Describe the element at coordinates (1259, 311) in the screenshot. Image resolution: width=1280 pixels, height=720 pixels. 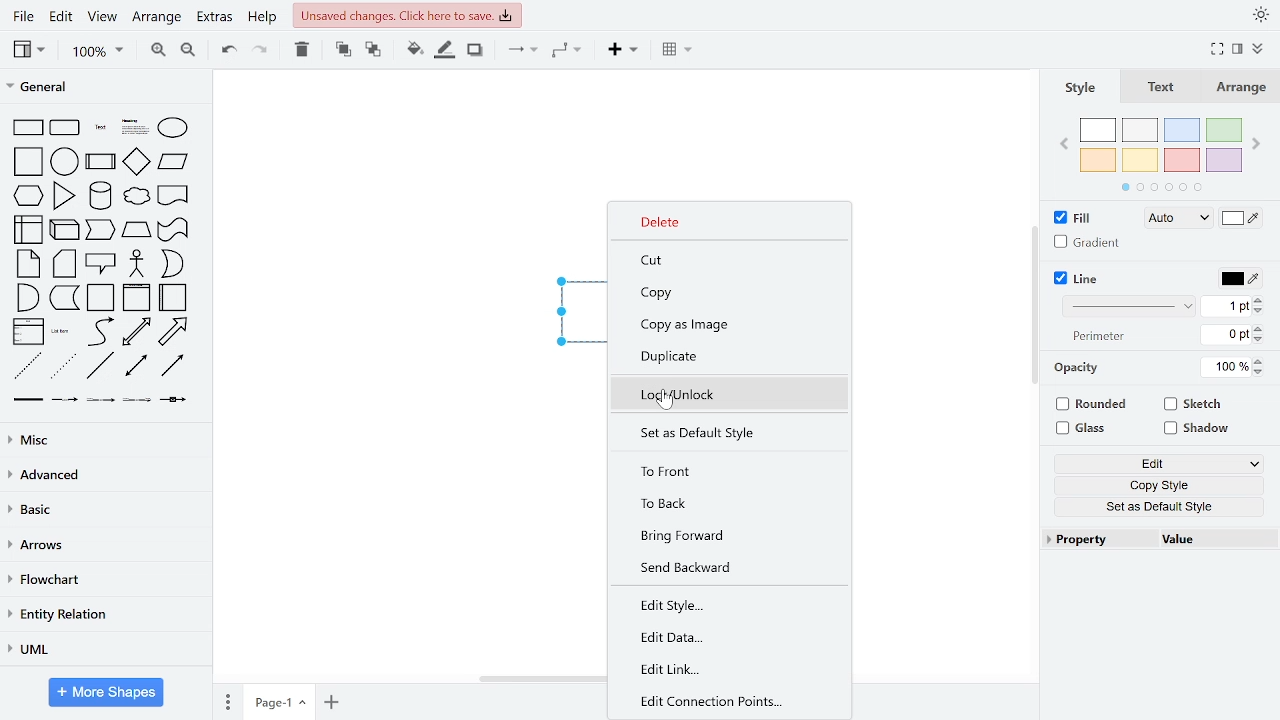
I see `decrease line width` at that location.